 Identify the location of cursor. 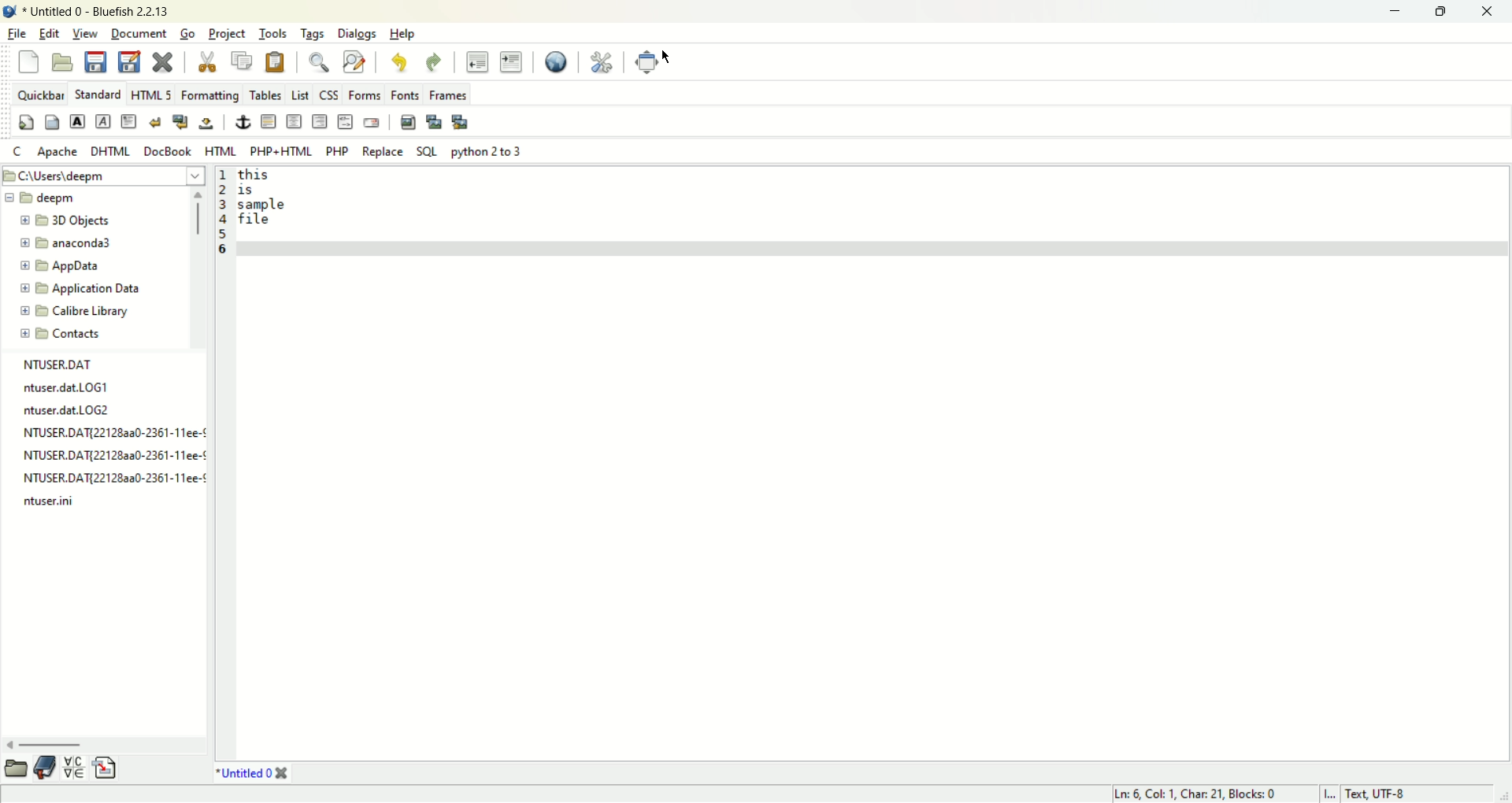
(665, 58).